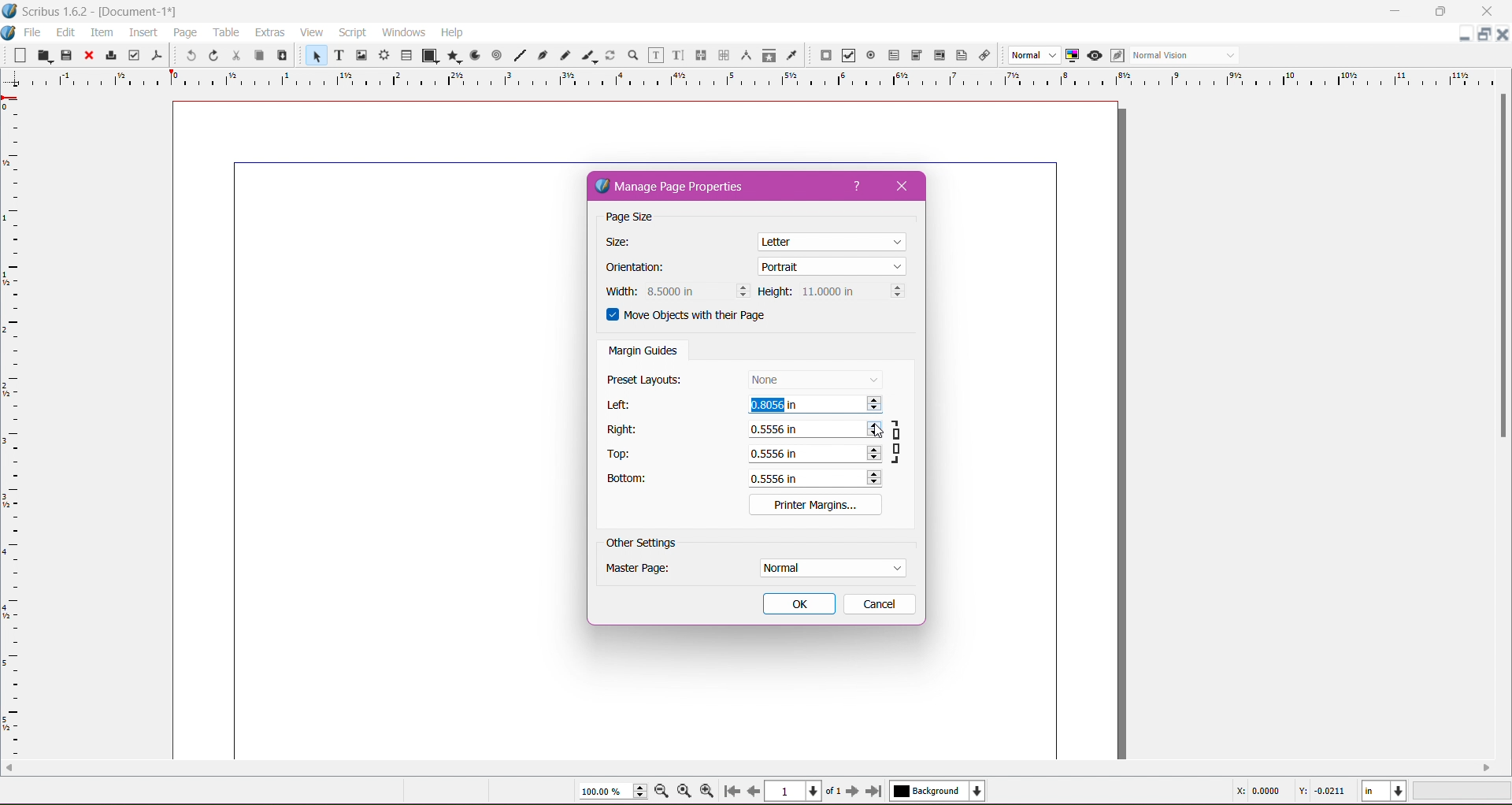 The image size is (1512, 805). Describe the element at coordinates (188, 57) in the screenshot. I see `Undo` at that location.